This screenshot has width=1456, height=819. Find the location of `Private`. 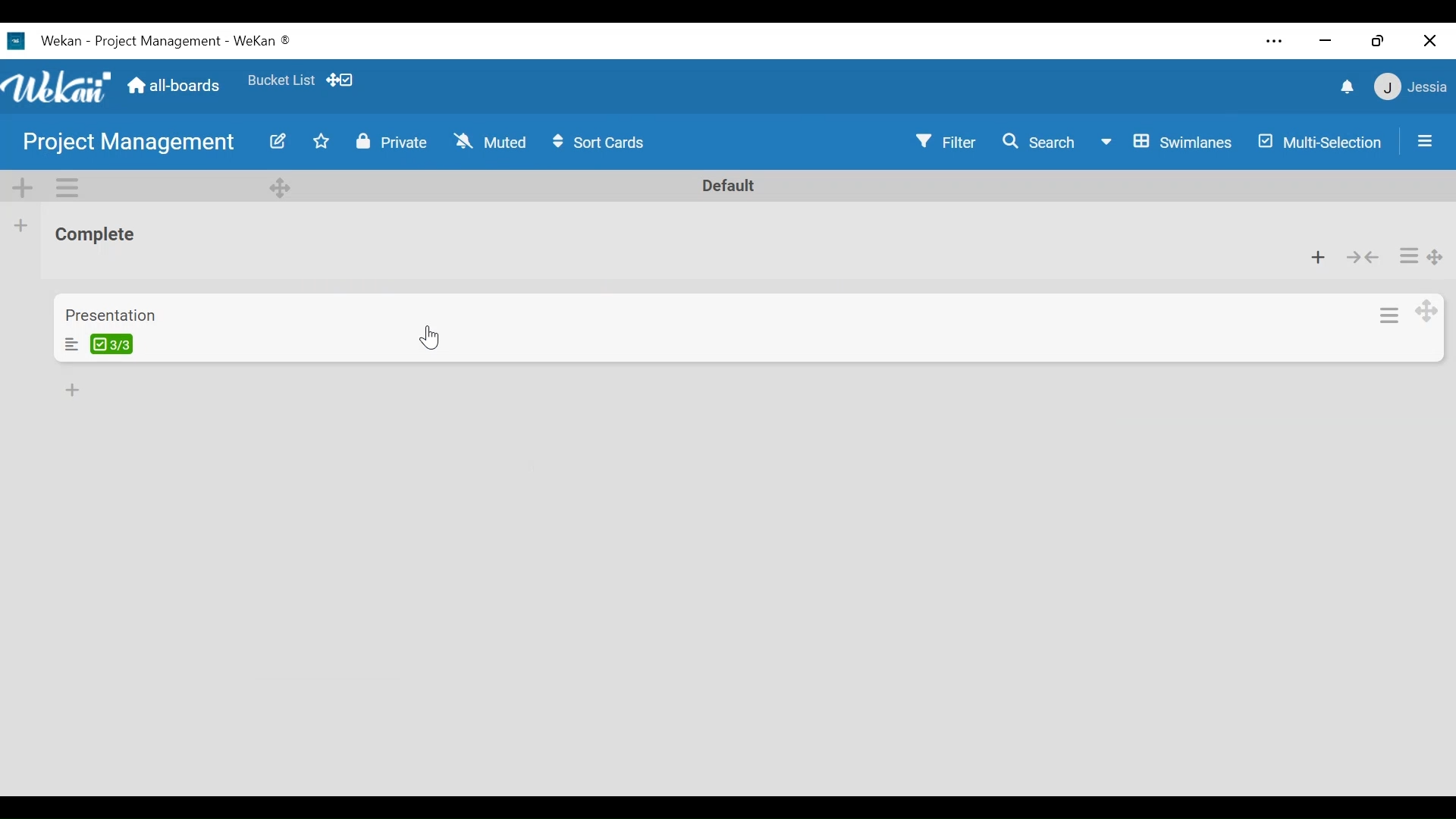

Private is located at coordinates (392, 142).